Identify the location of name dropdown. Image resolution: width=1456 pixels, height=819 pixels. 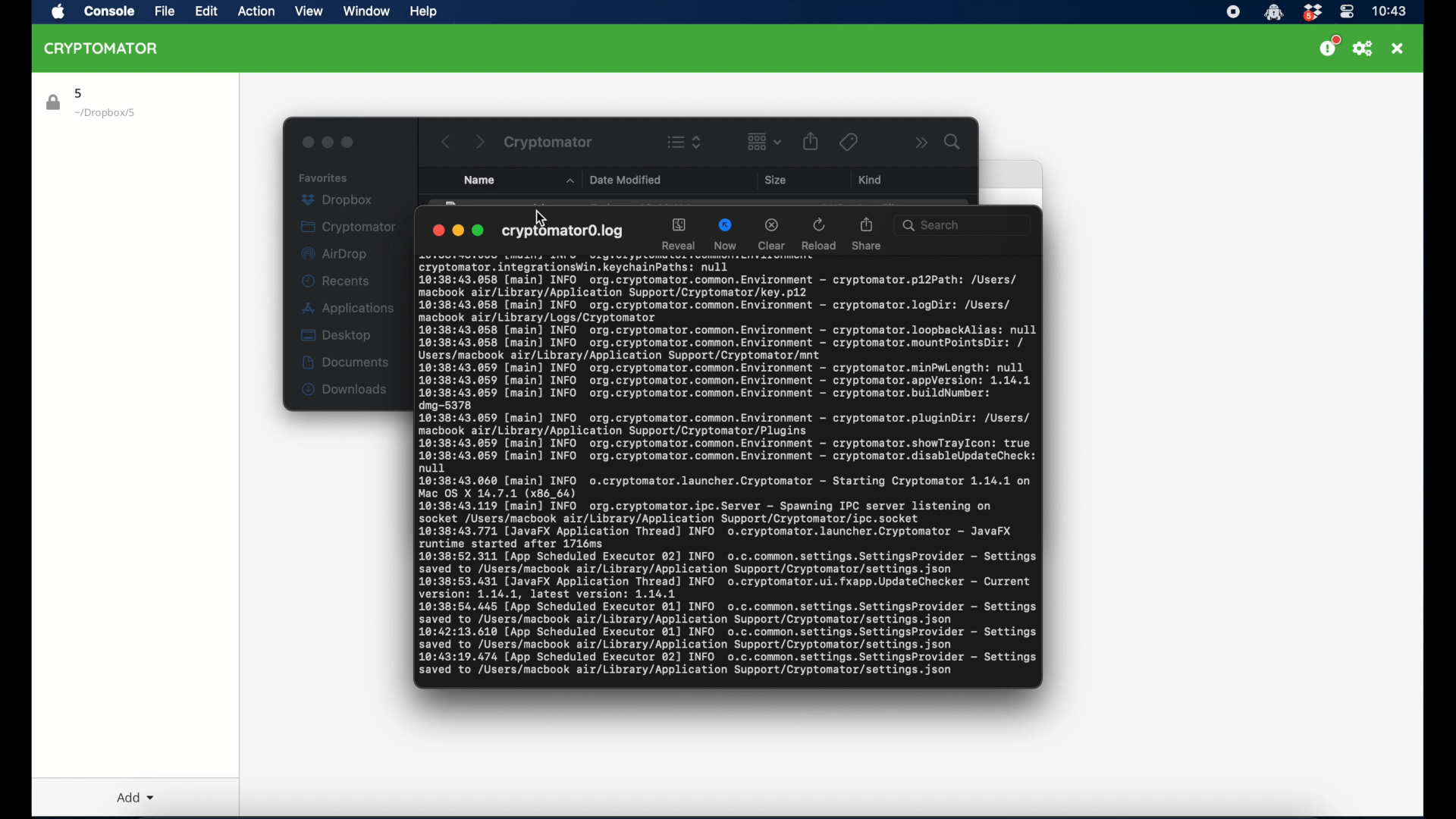
(570, 181).